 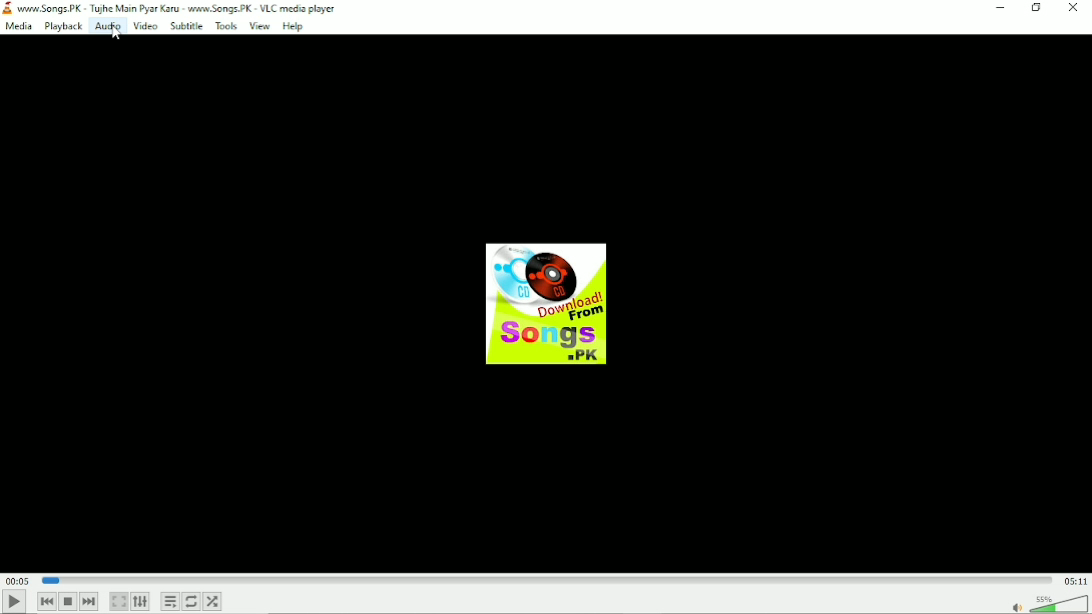 I want to click on Previous, so click(x=46, y=600).